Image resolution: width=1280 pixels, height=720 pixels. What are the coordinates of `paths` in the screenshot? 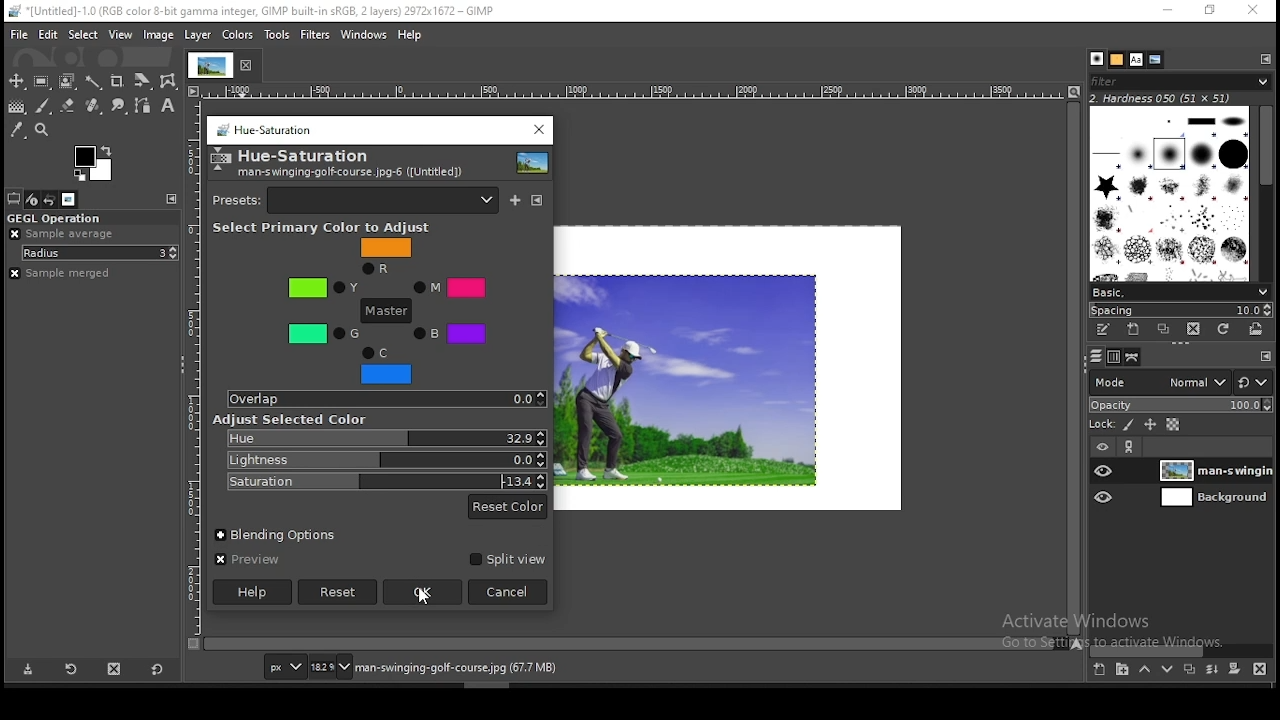 It's located at (1136, 358).